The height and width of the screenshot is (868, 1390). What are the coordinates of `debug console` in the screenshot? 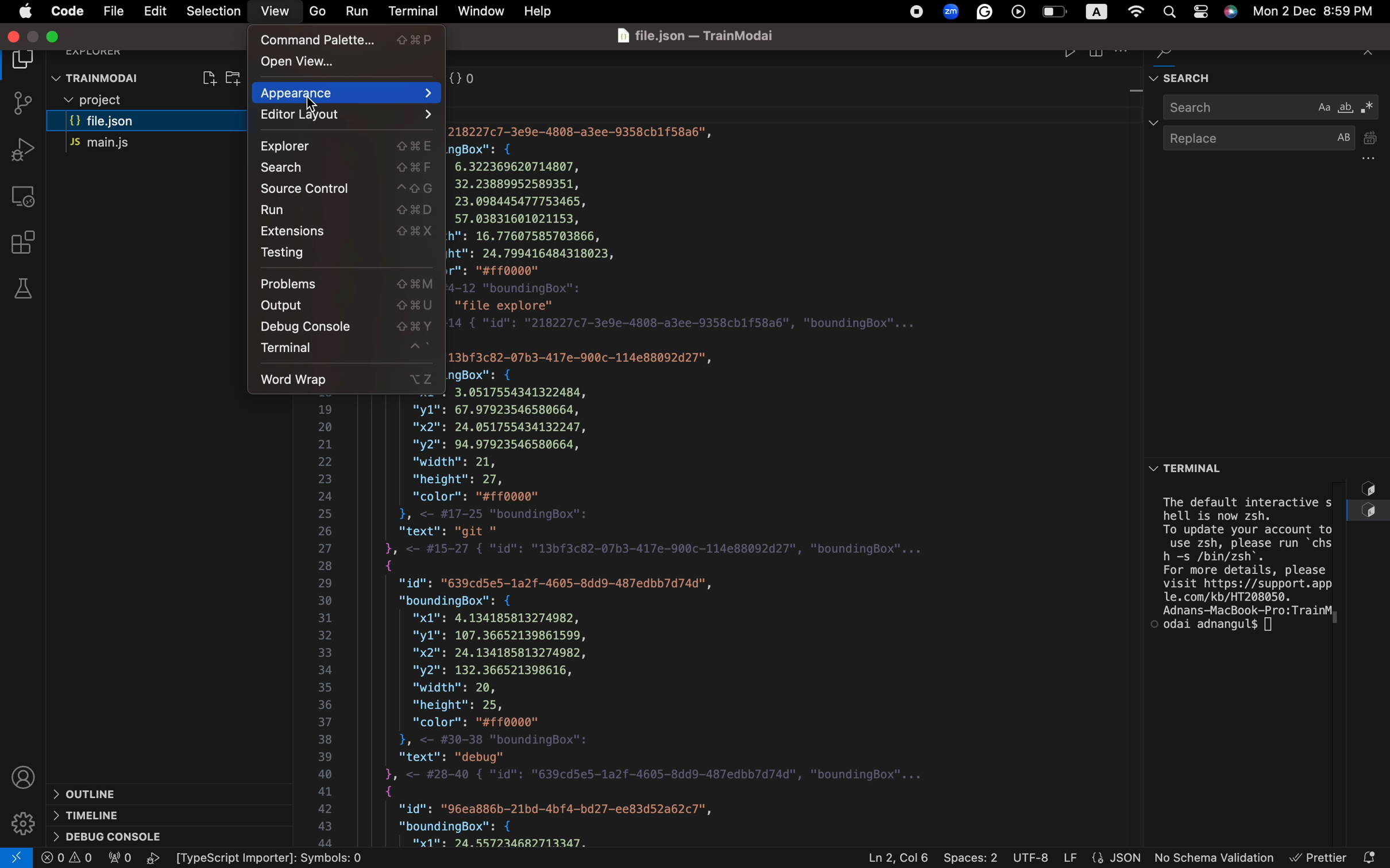 It's located at (347, 327).